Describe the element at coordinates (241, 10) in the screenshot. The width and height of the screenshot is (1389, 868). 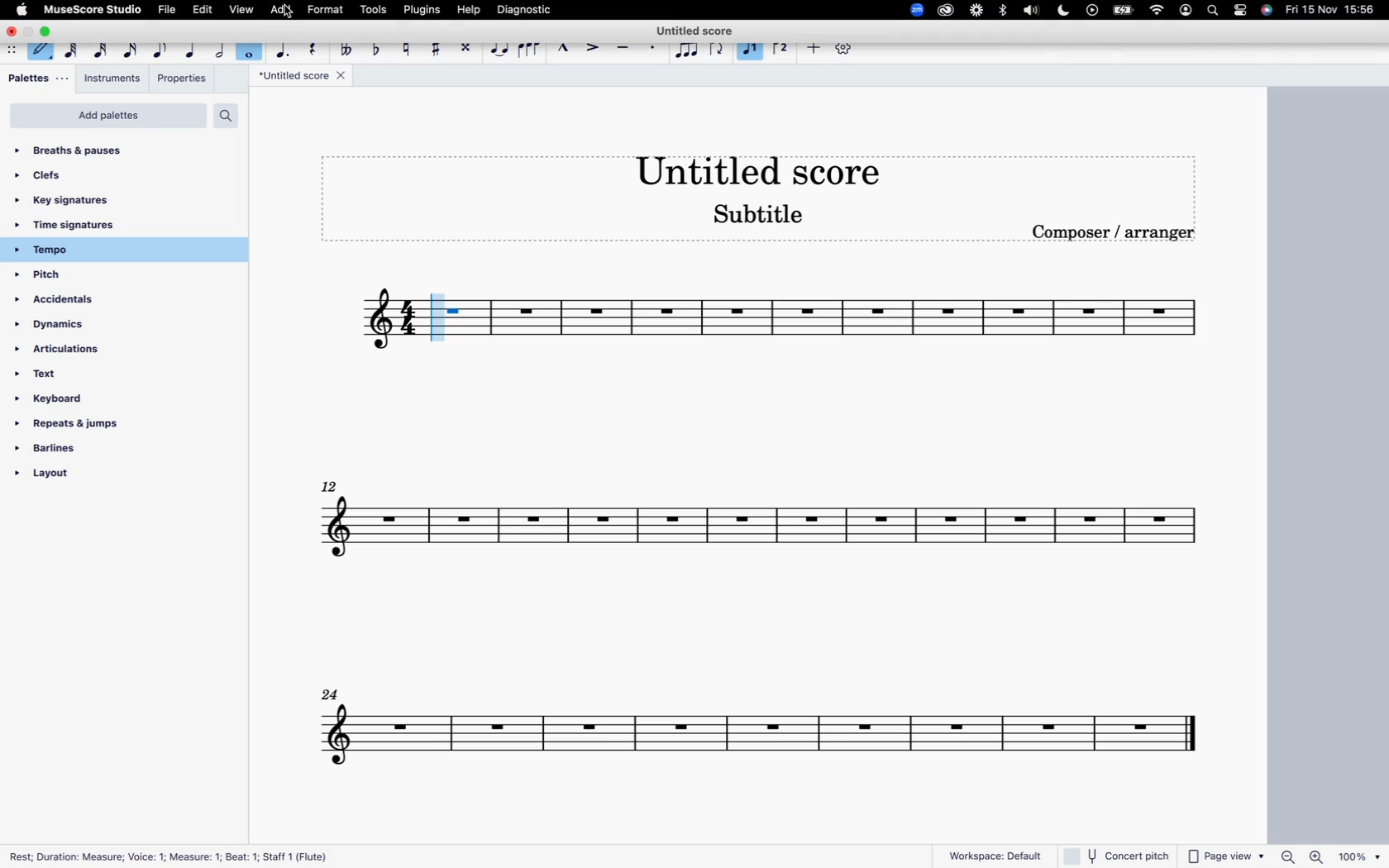
I see `view` at that location.